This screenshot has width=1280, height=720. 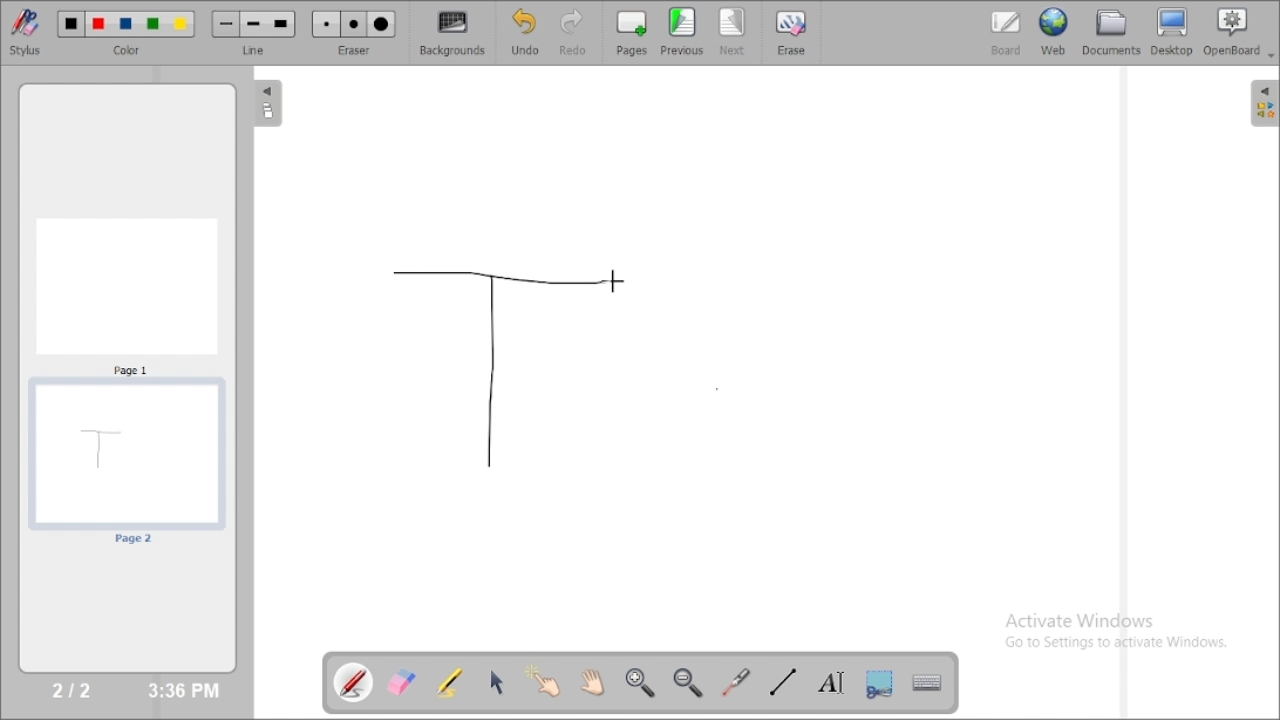 I want to click on select and modify objects, so click(x=497, y=682).